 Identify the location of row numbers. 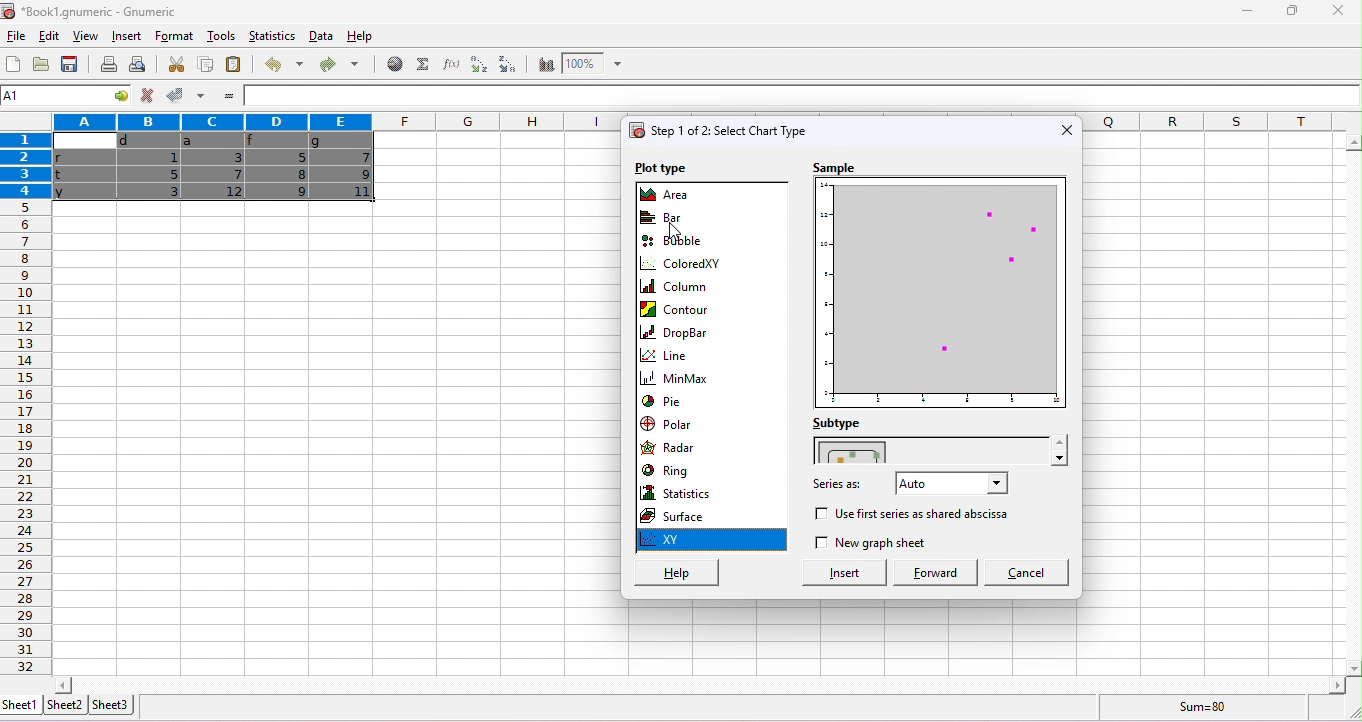
(29, 438).